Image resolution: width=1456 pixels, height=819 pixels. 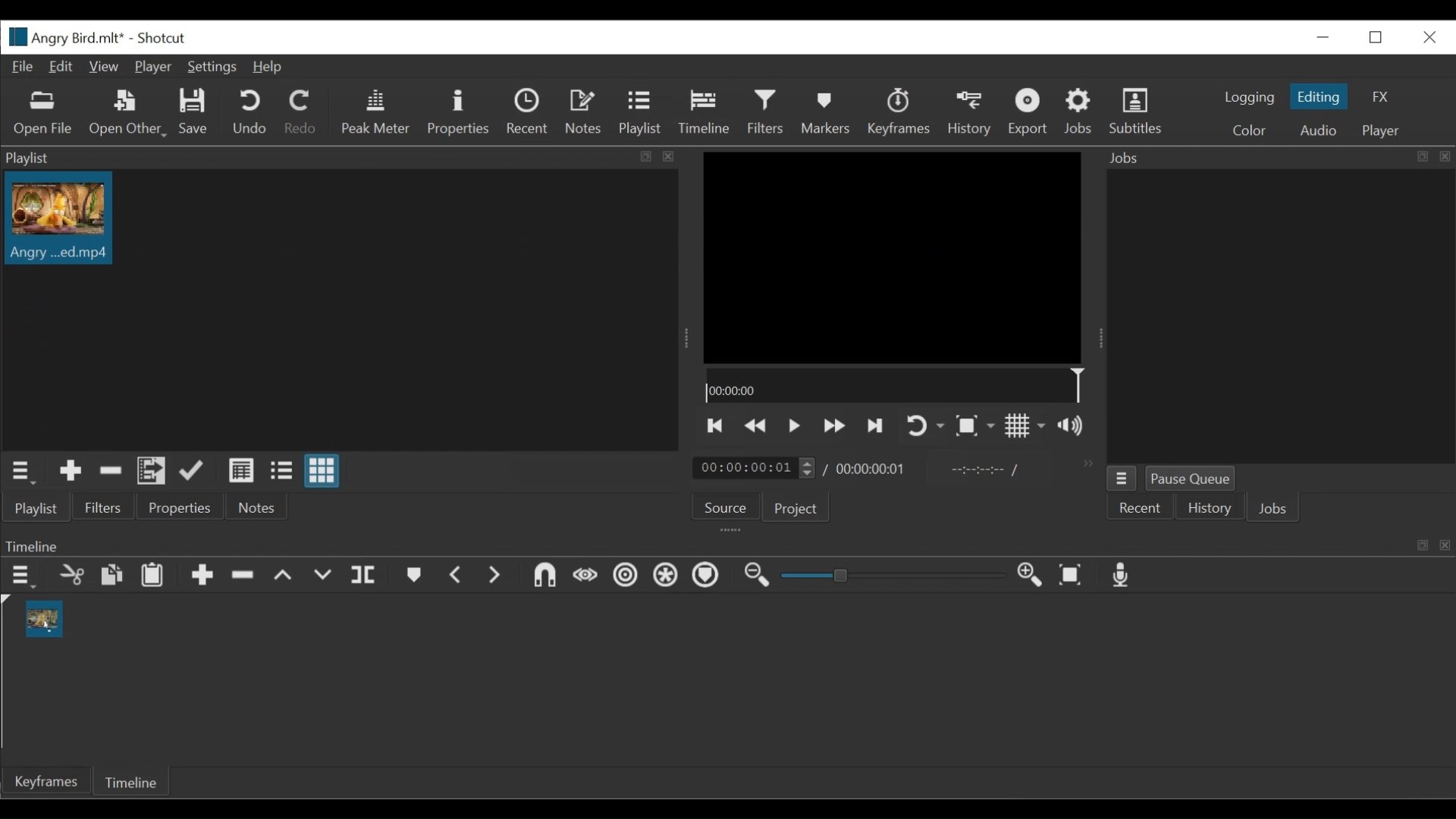 What do you see at coordinates (39, 510) in the screenshot?
I see `Playlist` at bounding box center [39, 510].